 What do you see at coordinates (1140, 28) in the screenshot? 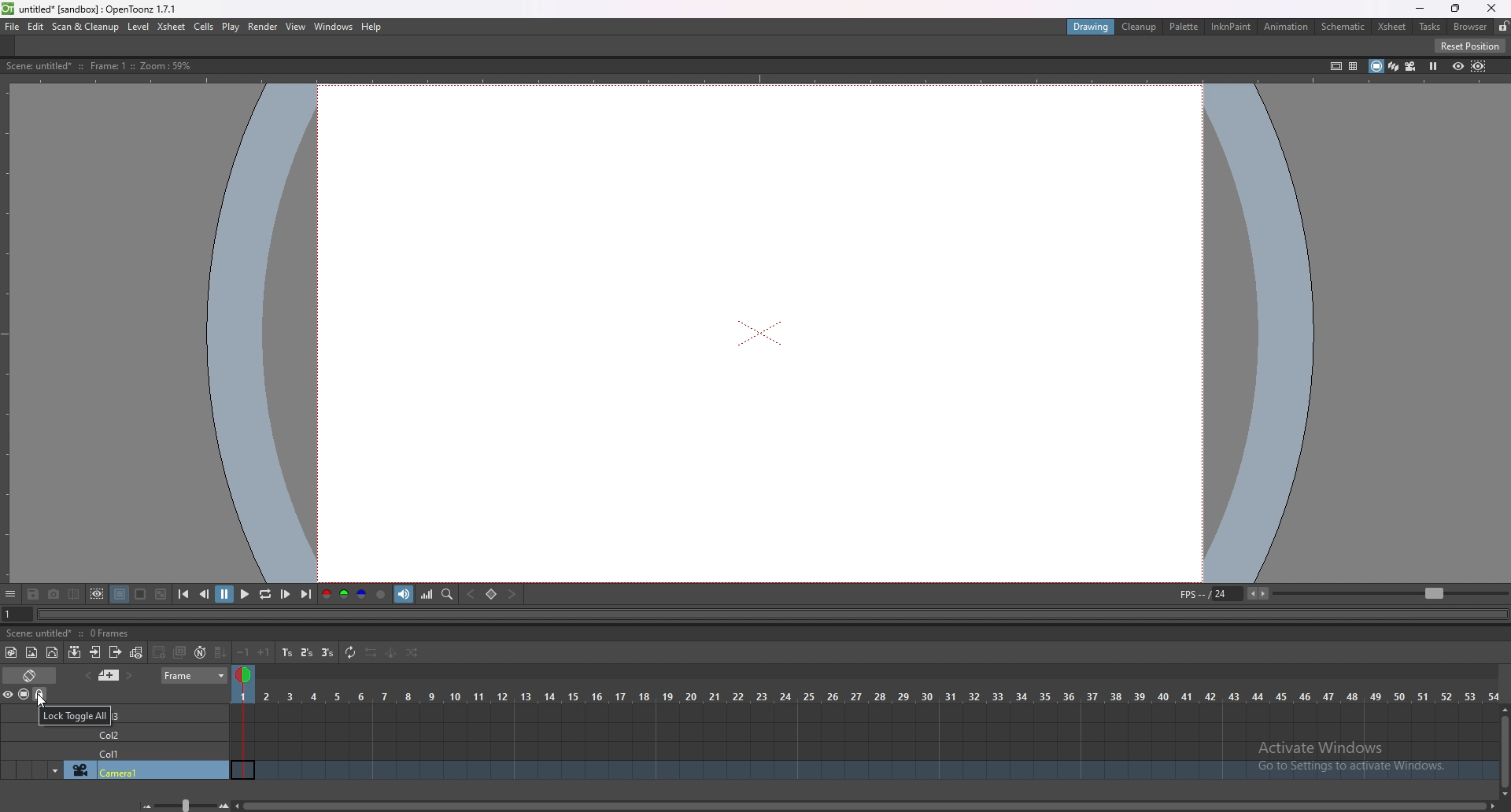
I see `cleanup` at bounding box center [1140, 28].